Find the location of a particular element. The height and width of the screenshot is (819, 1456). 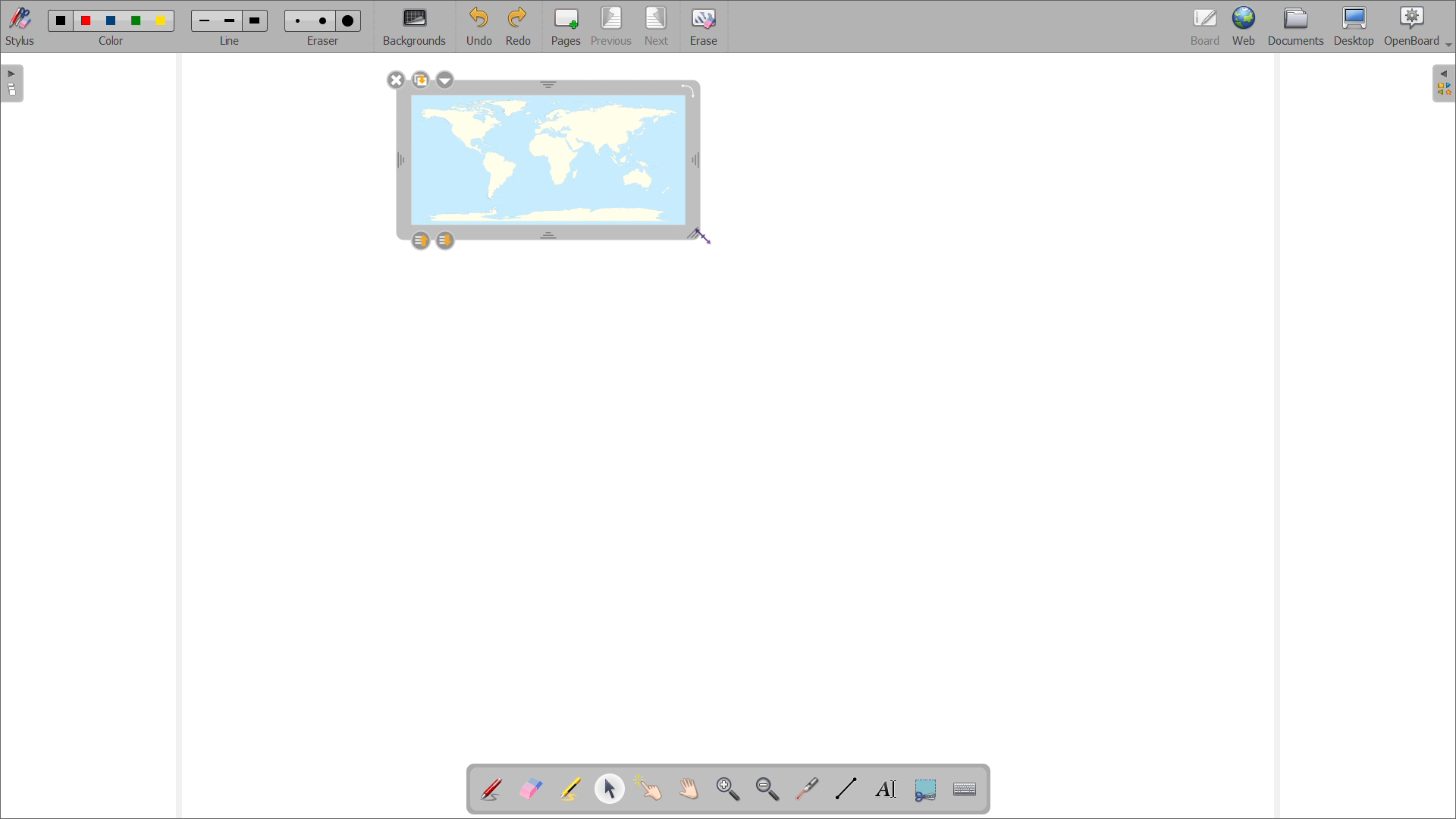

green is located at coordinates (136, 22).